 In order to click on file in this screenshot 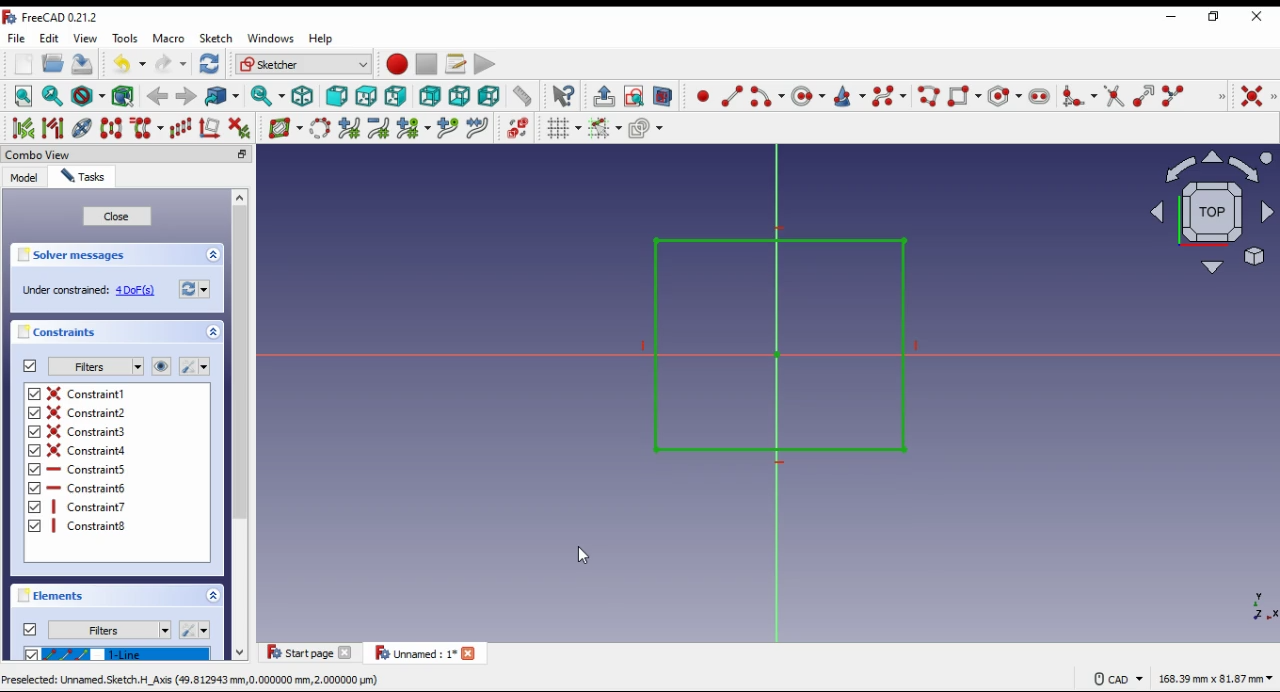, I will do `click(18, 38)`.